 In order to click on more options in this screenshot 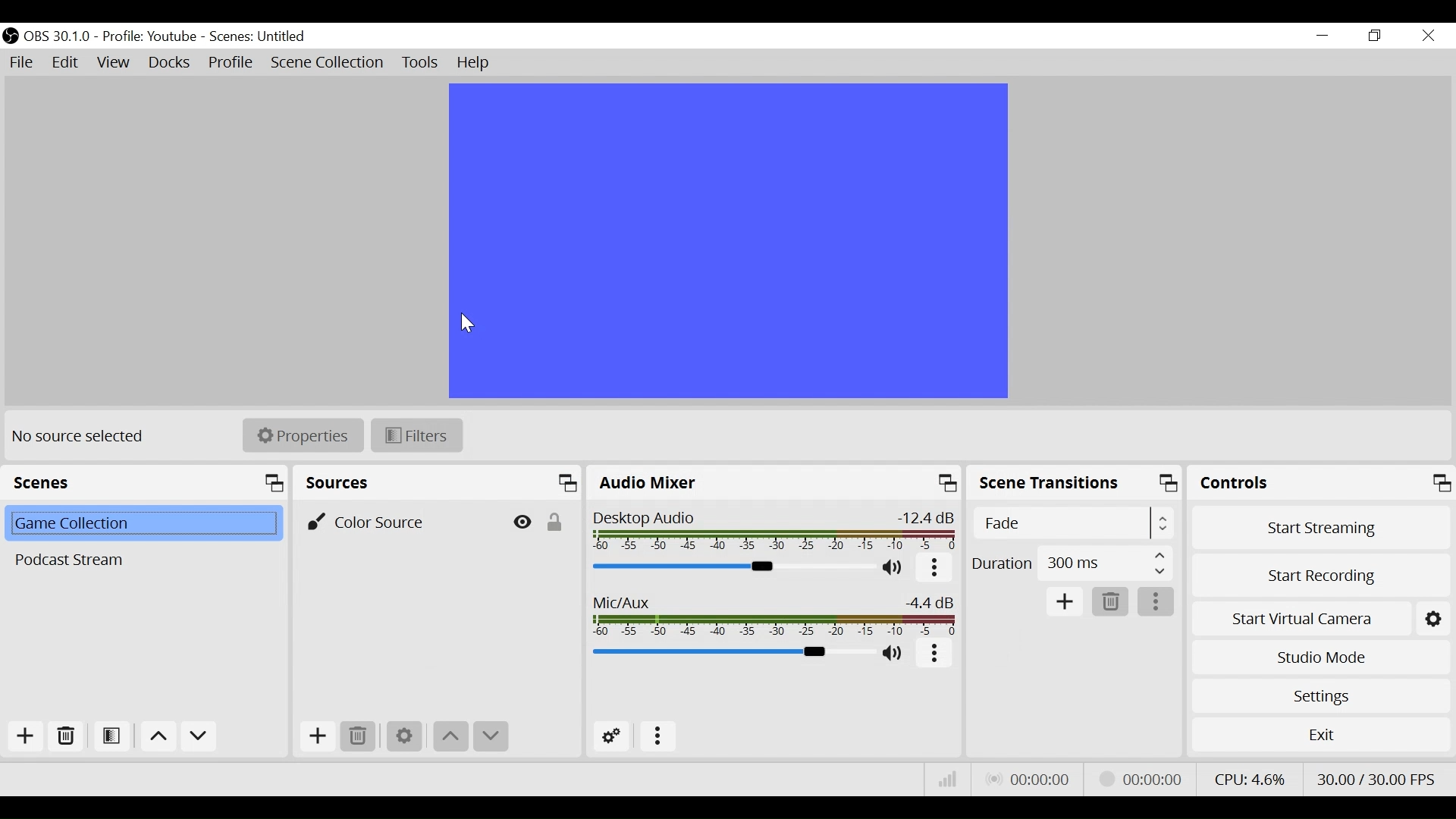, I will do `click(1156, 602)`.